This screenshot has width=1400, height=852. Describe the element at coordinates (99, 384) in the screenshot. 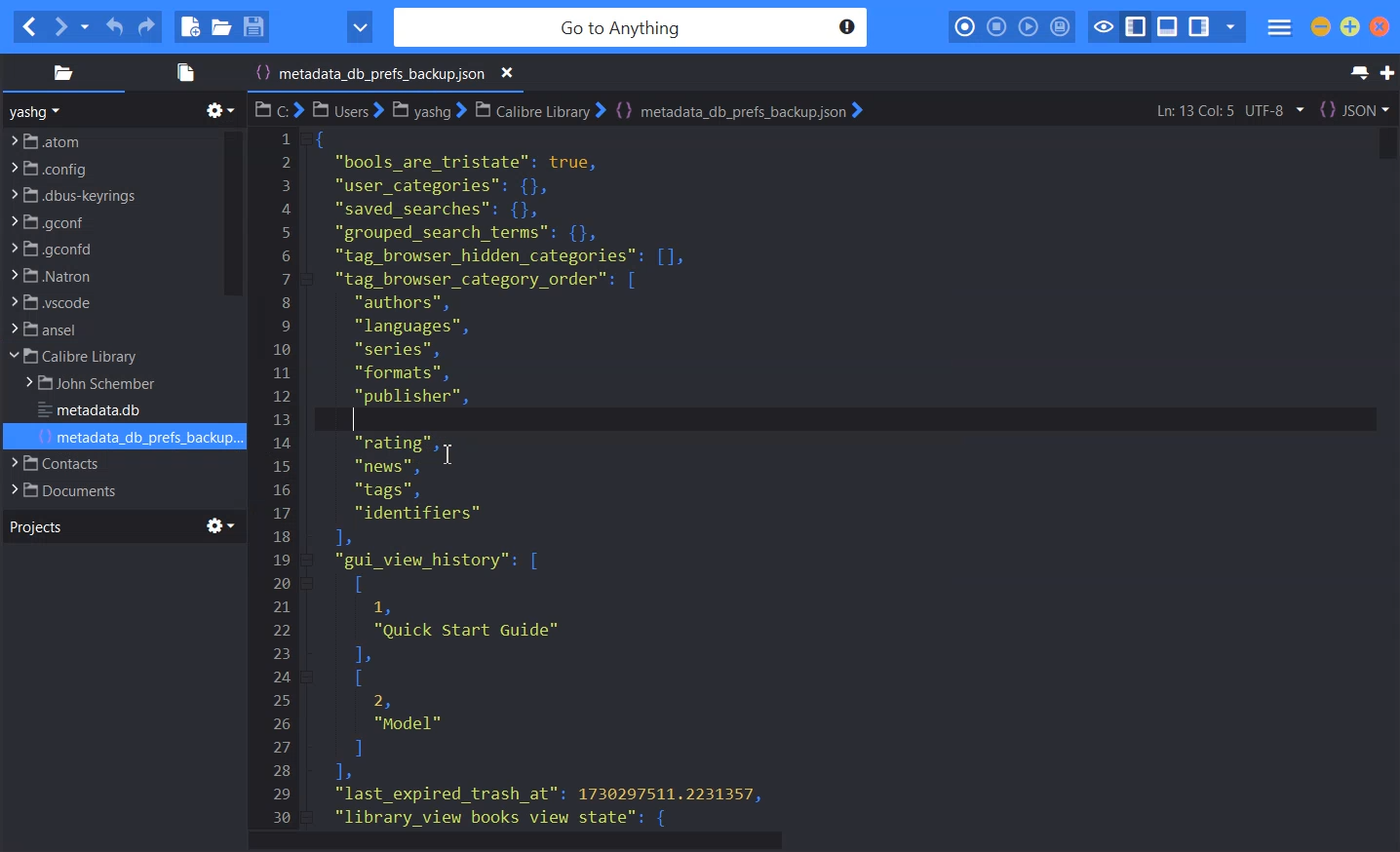

I see `File` at that location.